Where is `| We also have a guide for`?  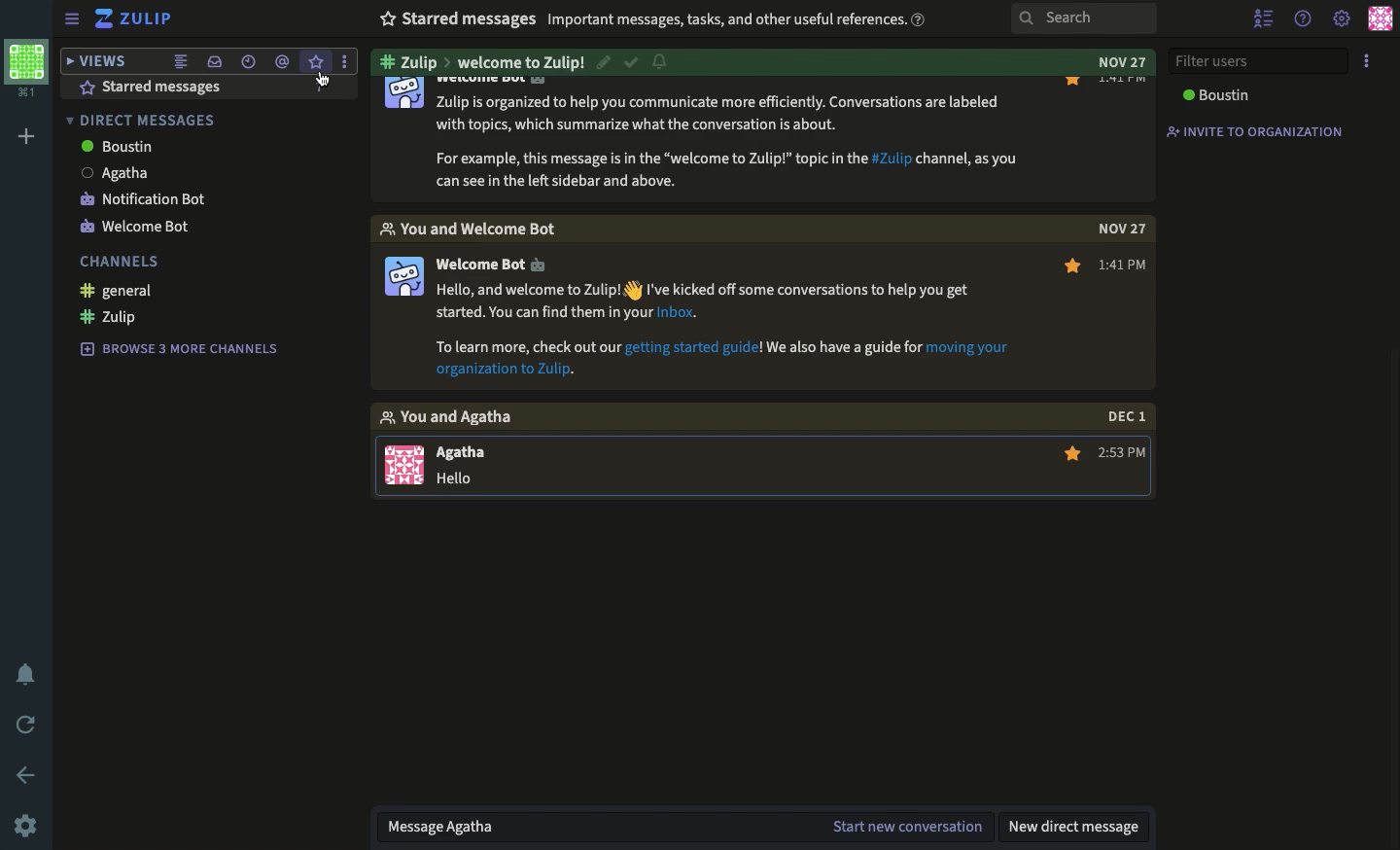
| We also have a guide for is located at coordinates (844, 346).